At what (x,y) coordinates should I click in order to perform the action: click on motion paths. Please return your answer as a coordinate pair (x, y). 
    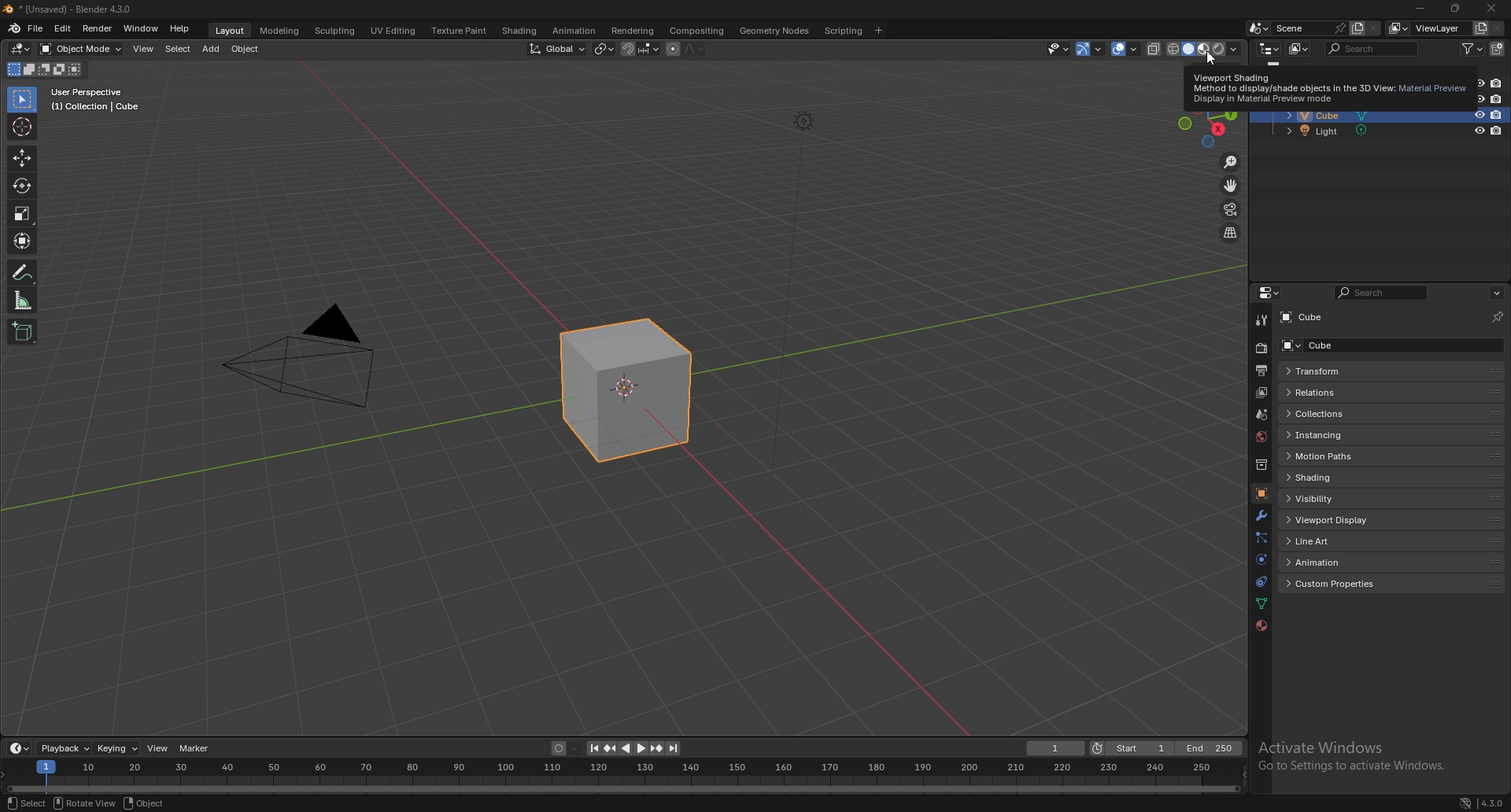
    Looking at the image, I should click on (1360, 456).